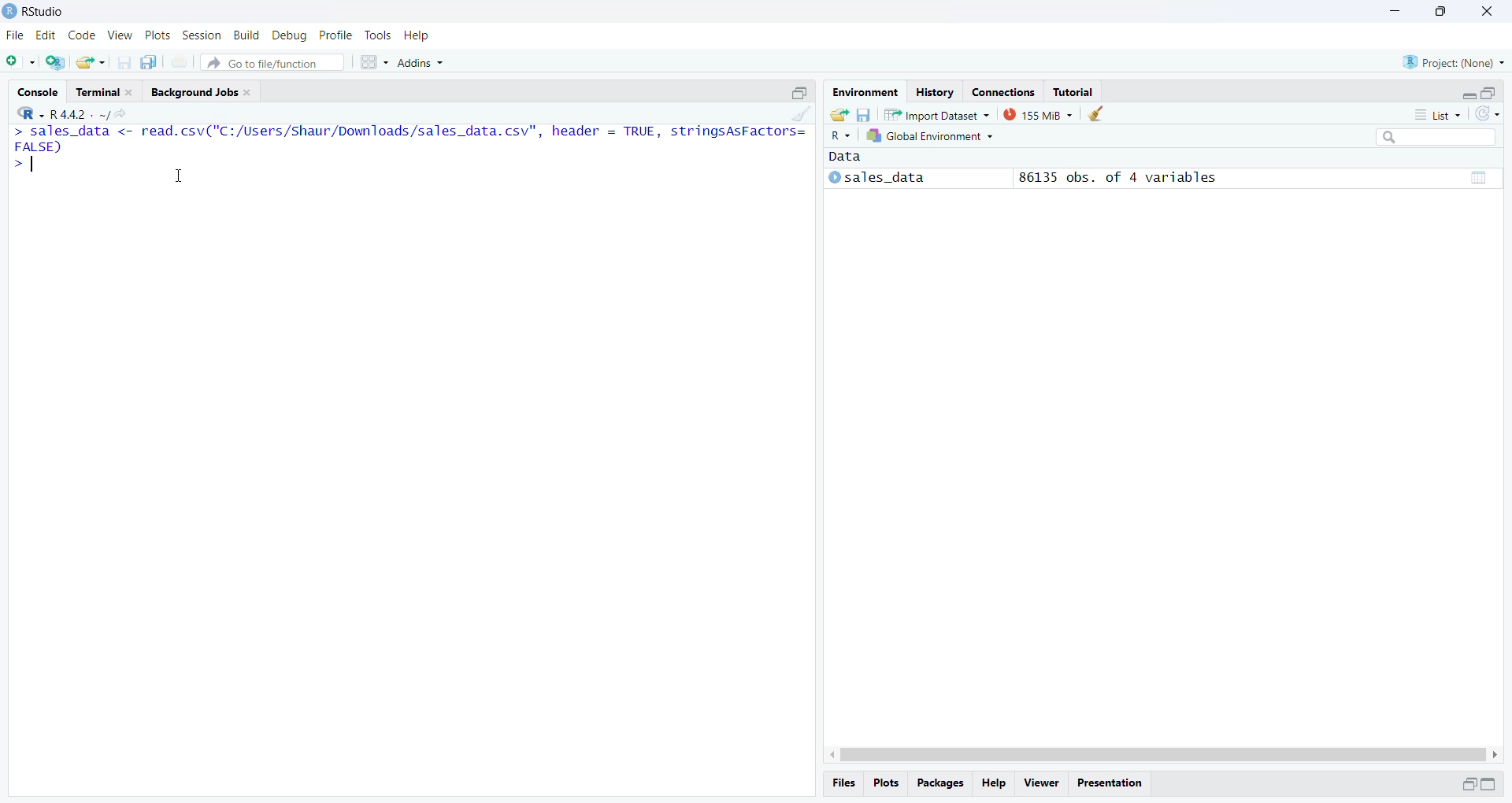  Describe the element at coordinates (1437, 116) in the screenshot. I see `List` at that location.